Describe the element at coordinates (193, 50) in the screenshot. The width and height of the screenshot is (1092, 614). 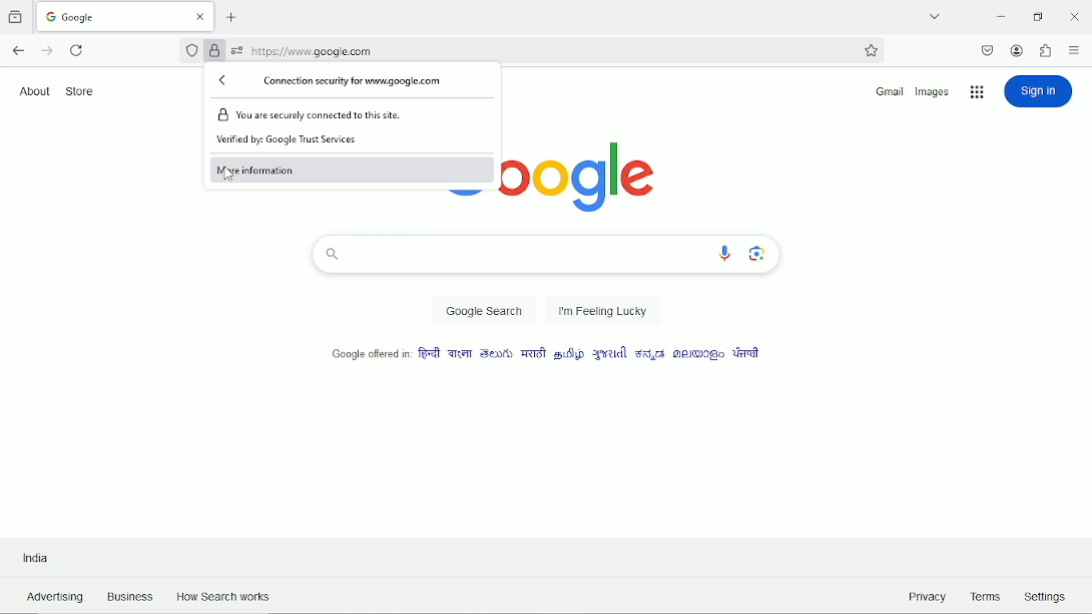
I see `No trackers known to firefox were detected on this page` at that location.